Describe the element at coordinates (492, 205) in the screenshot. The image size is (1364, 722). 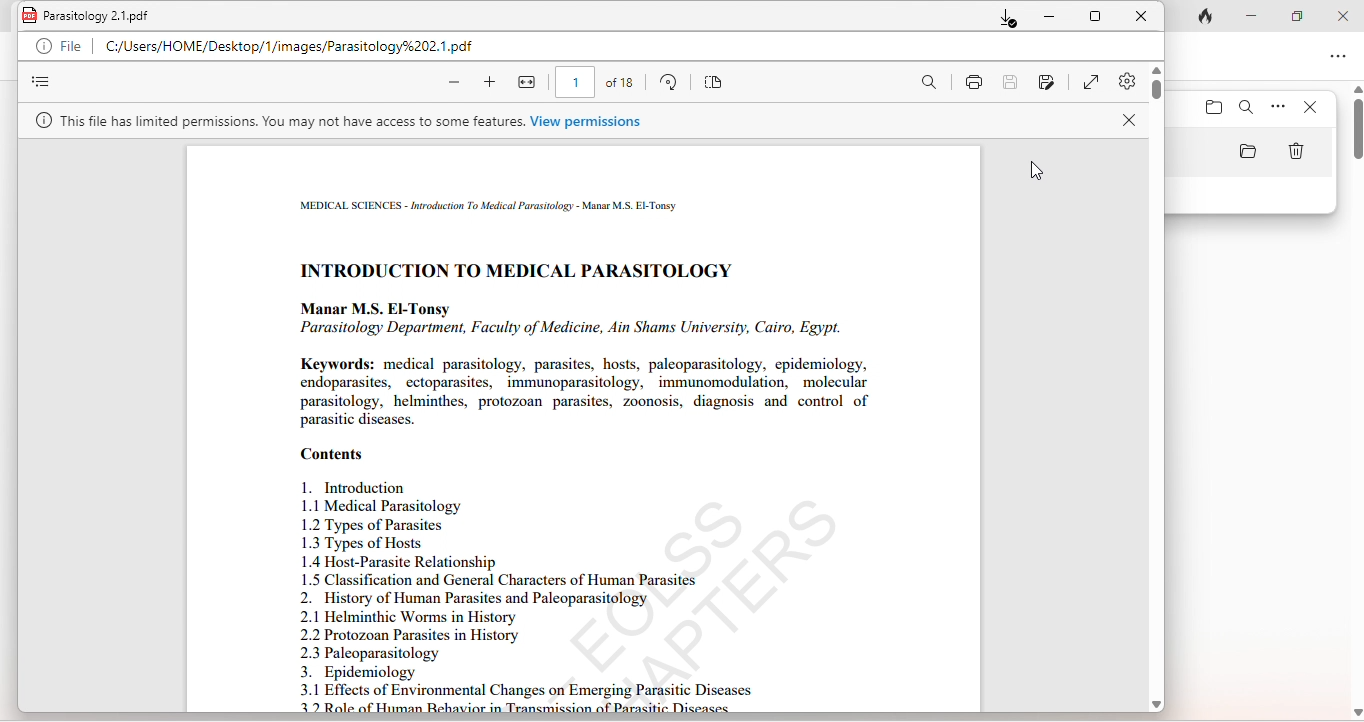
I see `medical science - Introduction to Medical Parasitology - Manar MS El Toney` at that location.